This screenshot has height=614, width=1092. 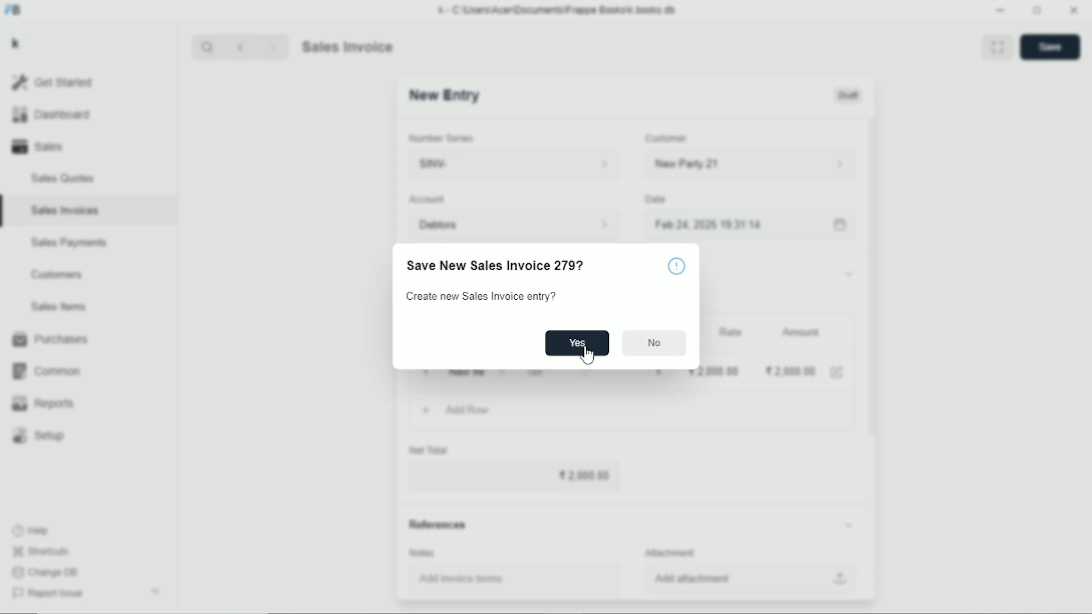 What do you see at coordinates (839, 372) in the screenshot?
I see `Edit` at bounding box center [839, 372].